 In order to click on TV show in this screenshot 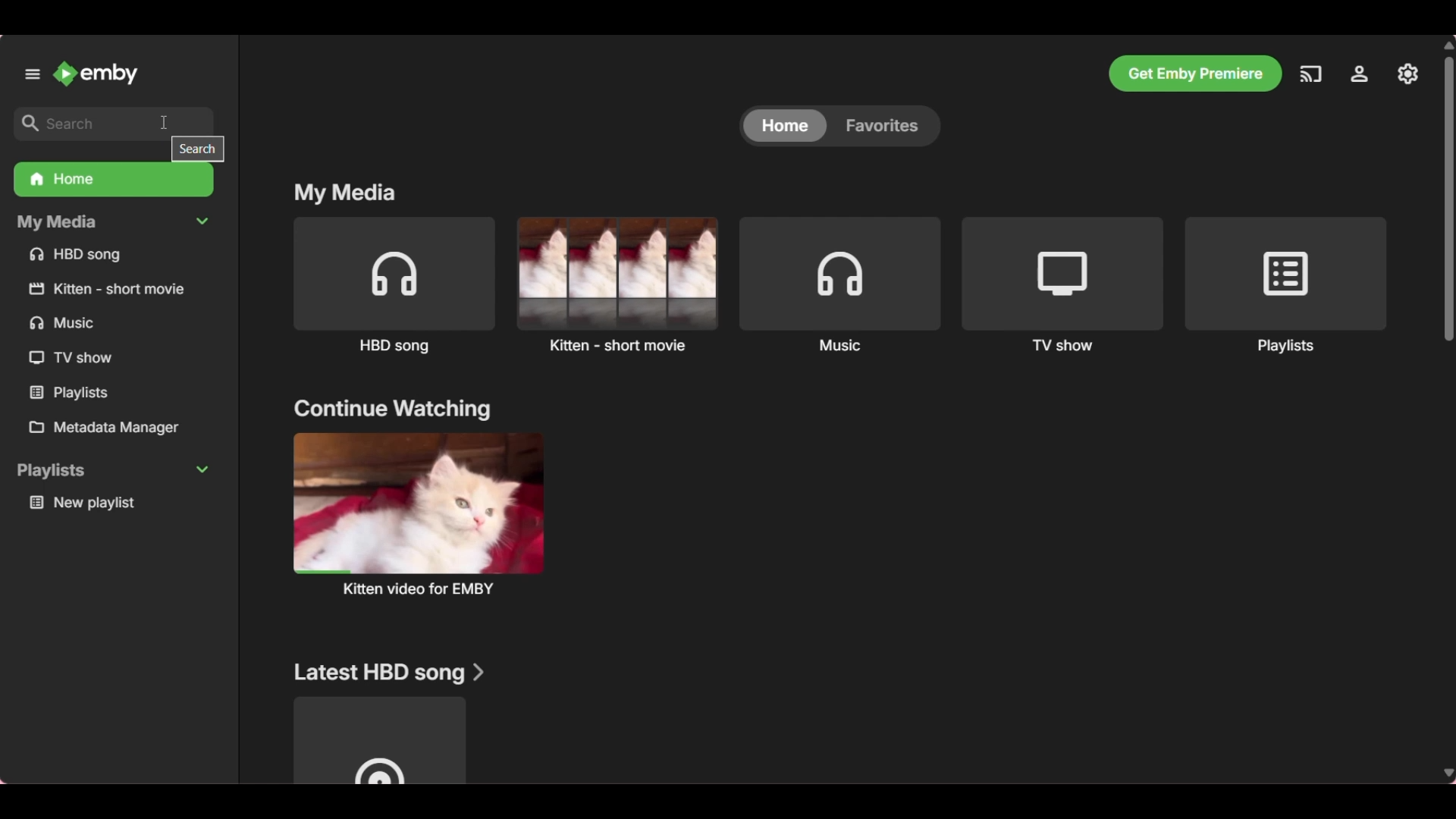, I will do `click(1063, 285)`.